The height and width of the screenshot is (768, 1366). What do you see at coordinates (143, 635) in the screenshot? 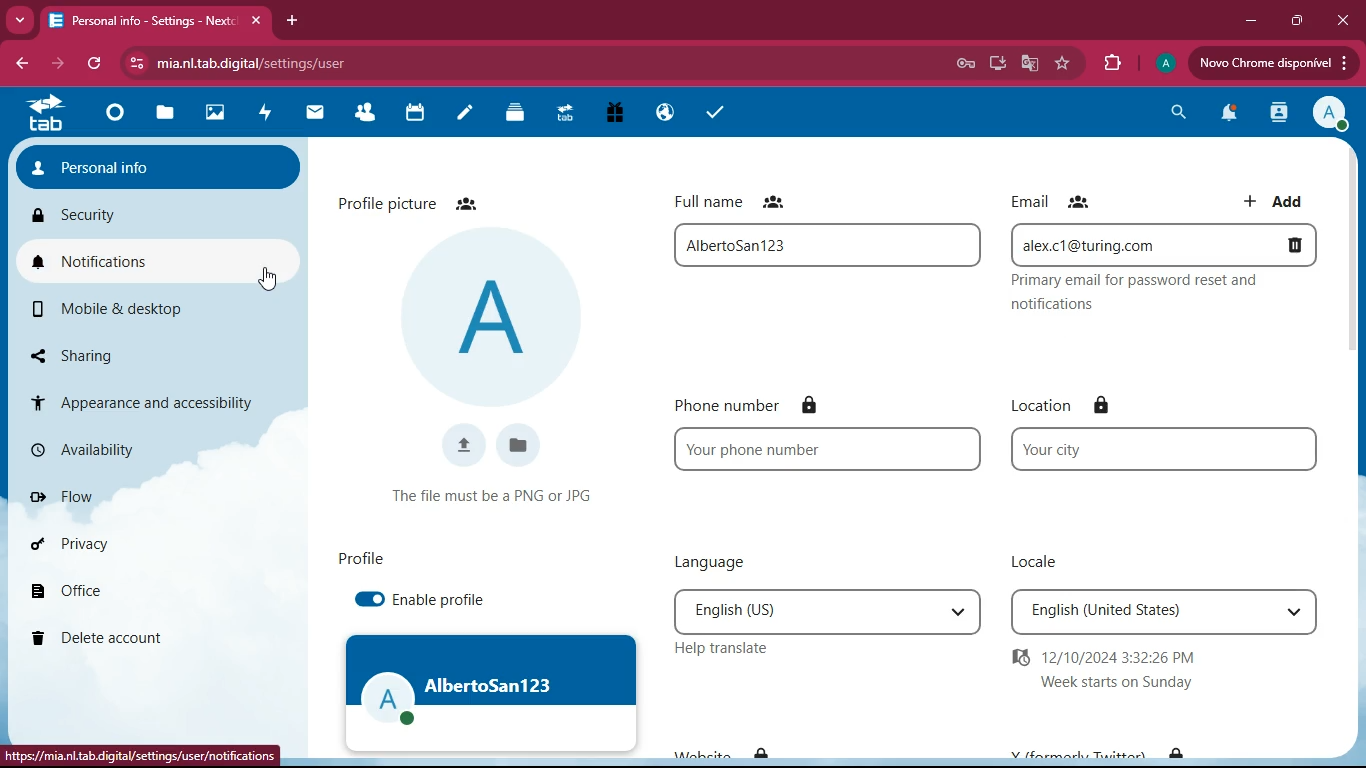
I see `delete account` at bounding box center [143, 635].